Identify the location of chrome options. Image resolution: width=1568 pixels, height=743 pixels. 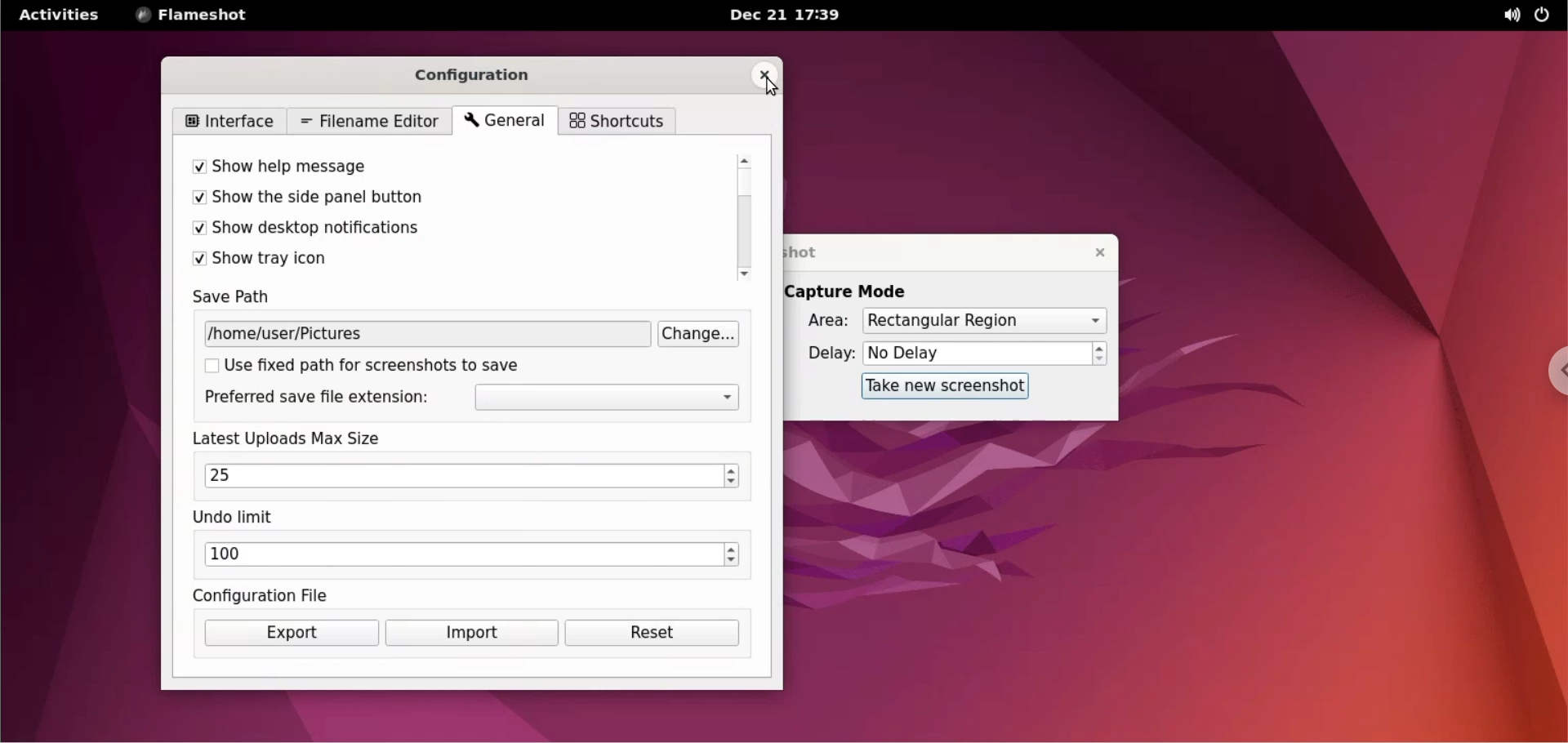
(1550, 372).